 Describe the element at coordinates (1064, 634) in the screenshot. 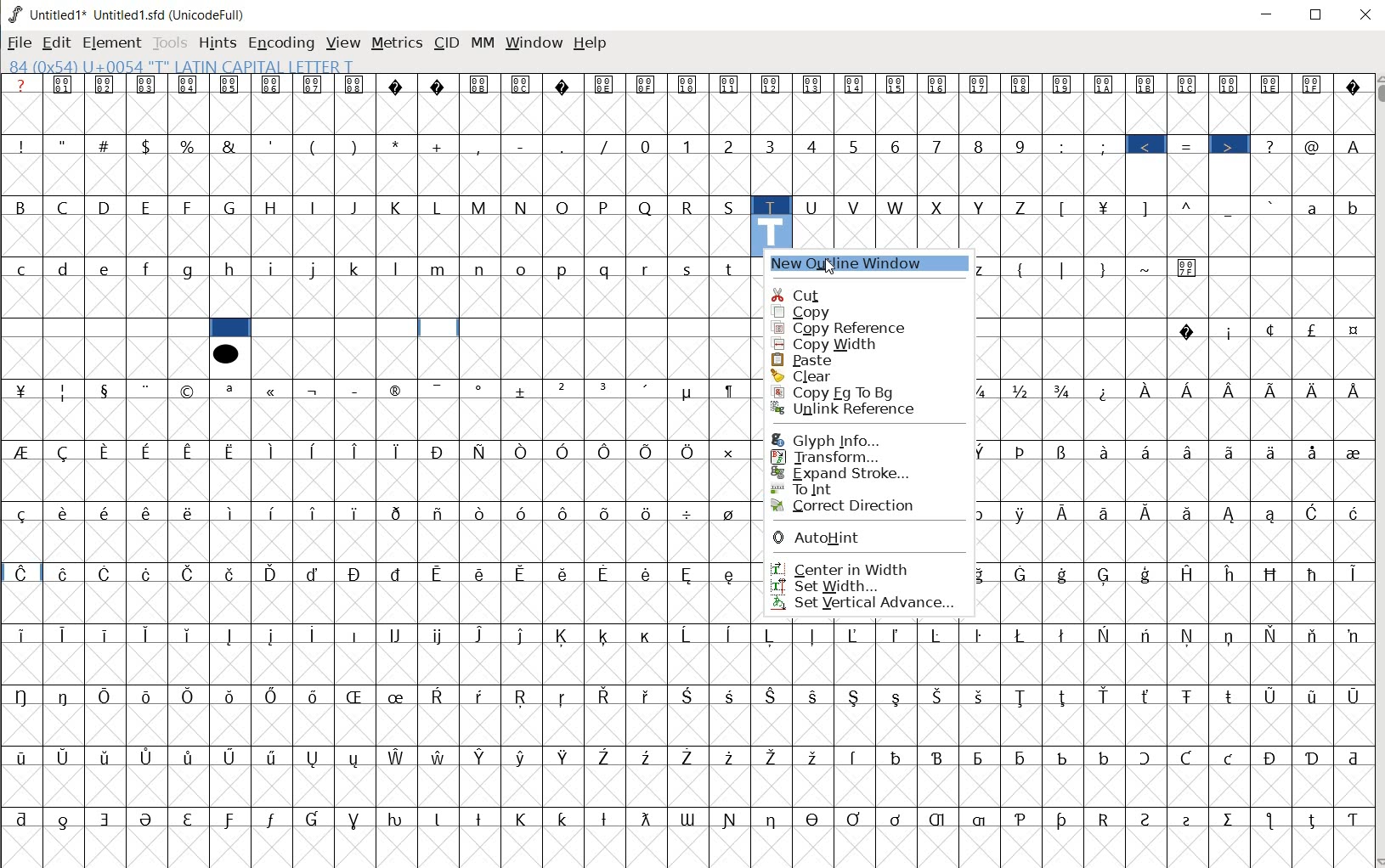

I see `Symbol` at that location.